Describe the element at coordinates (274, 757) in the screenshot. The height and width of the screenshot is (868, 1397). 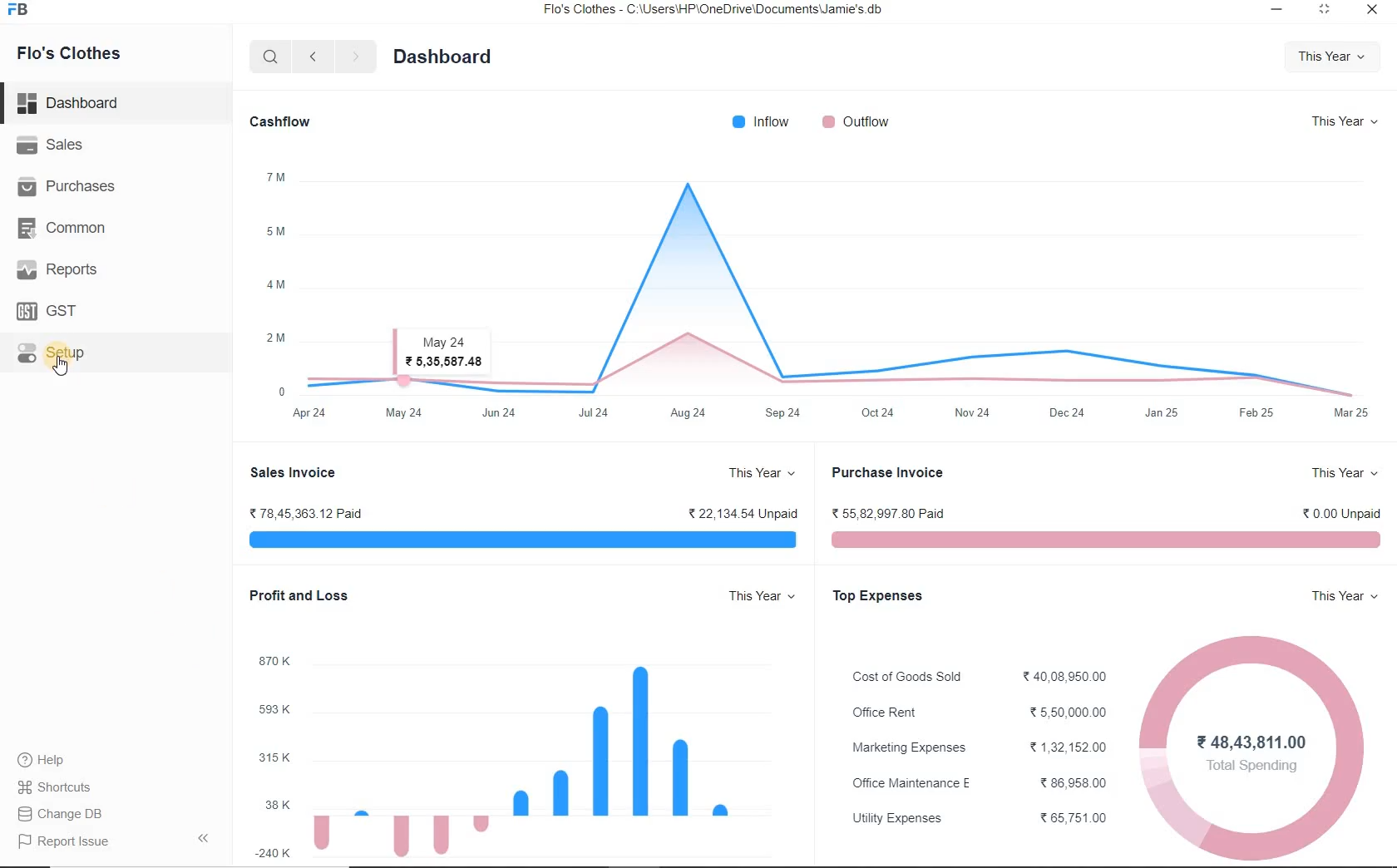
I see `315K` at that location.